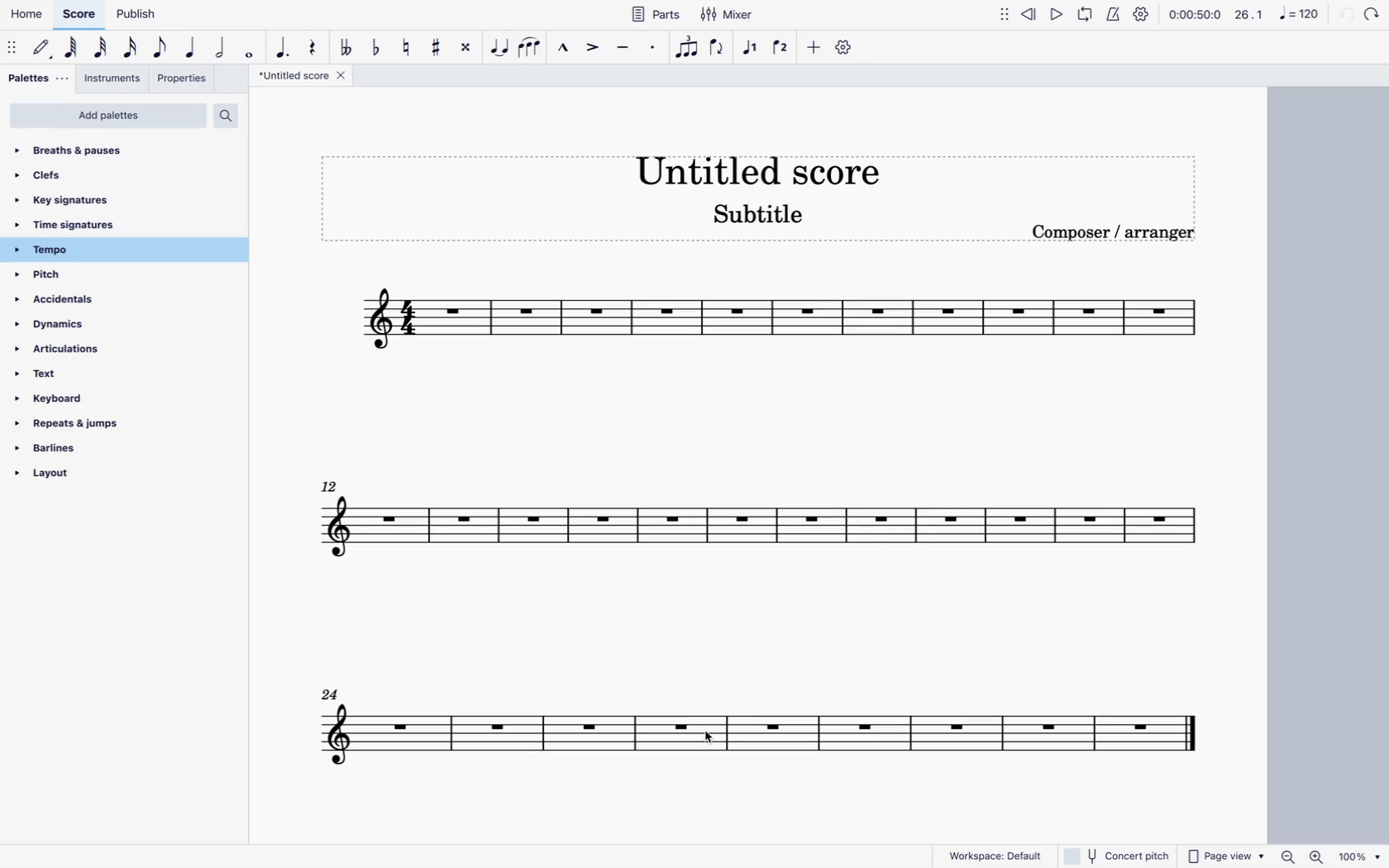 This screenshot has height=868, width=1389. Describe the element at coordinates (625, 45) in the screenshot. I see `tenuto` at that location.